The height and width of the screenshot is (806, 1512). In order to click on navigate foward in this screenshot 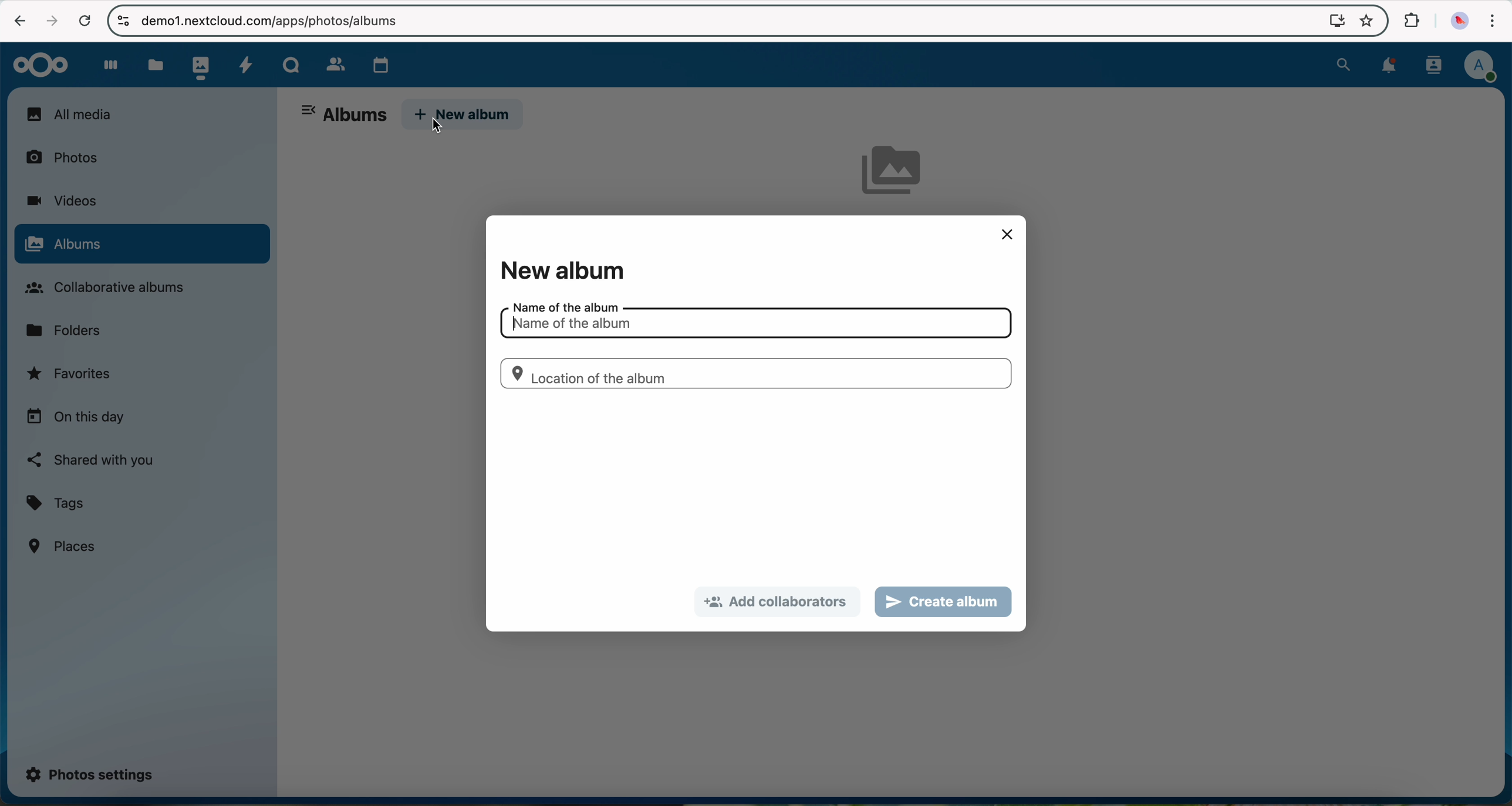, I will do `click(49, 21)`.